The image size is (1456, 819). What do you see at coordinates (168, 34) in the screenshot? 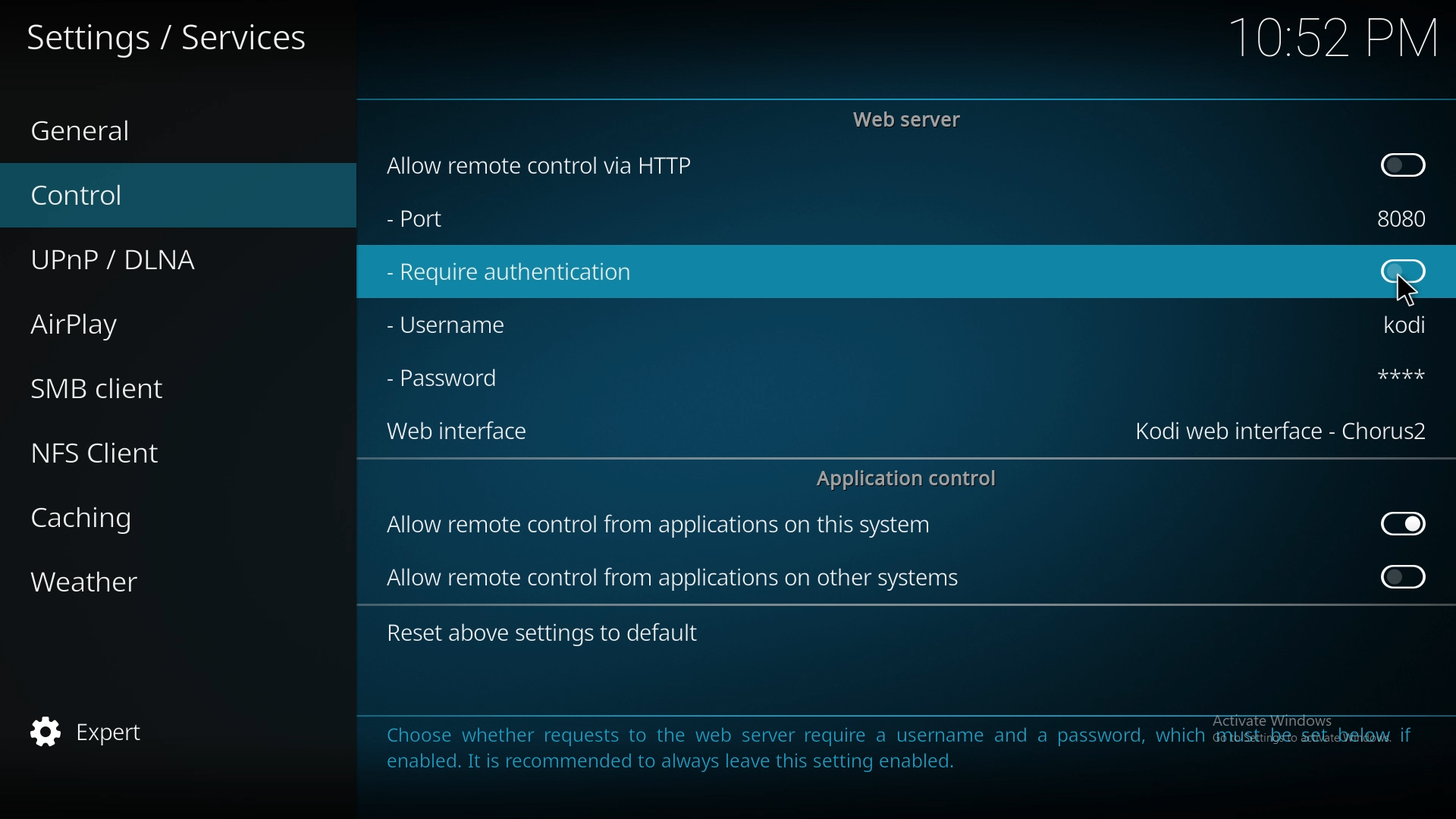
I see `services` at bounding box center [168, 34].